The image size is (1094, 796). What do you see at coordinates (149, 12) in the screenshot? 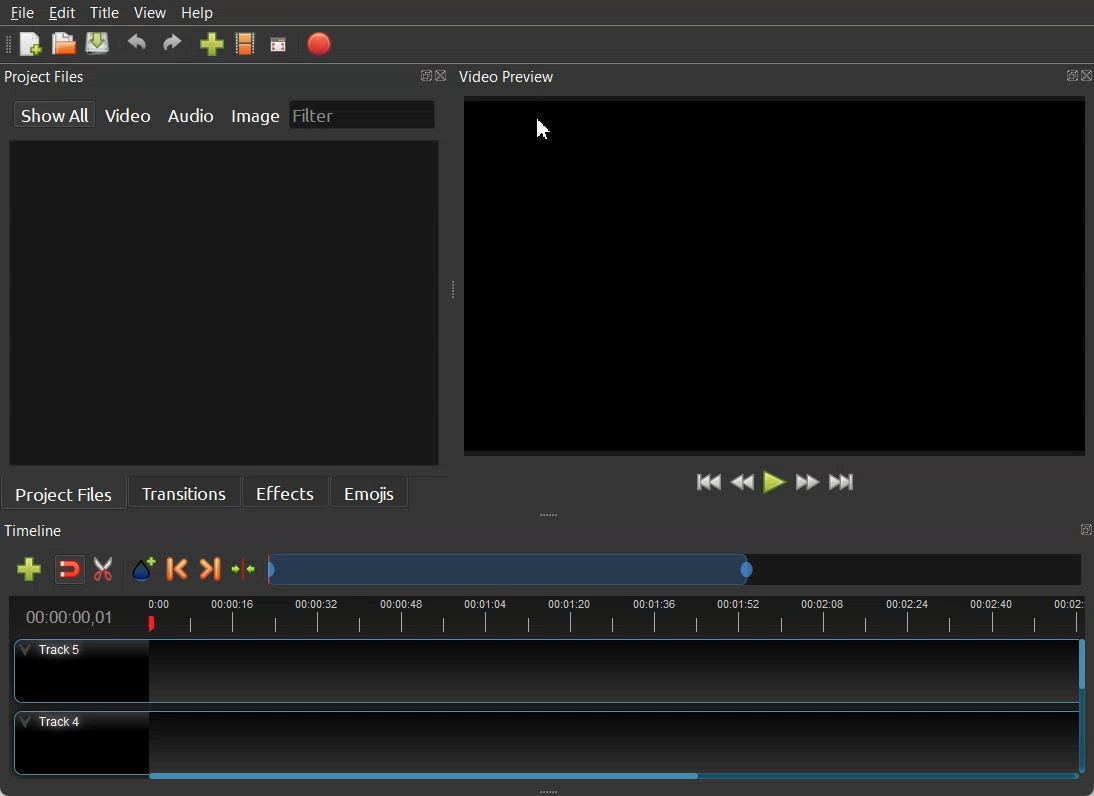
I see `View` at bounding box center [149, 12].